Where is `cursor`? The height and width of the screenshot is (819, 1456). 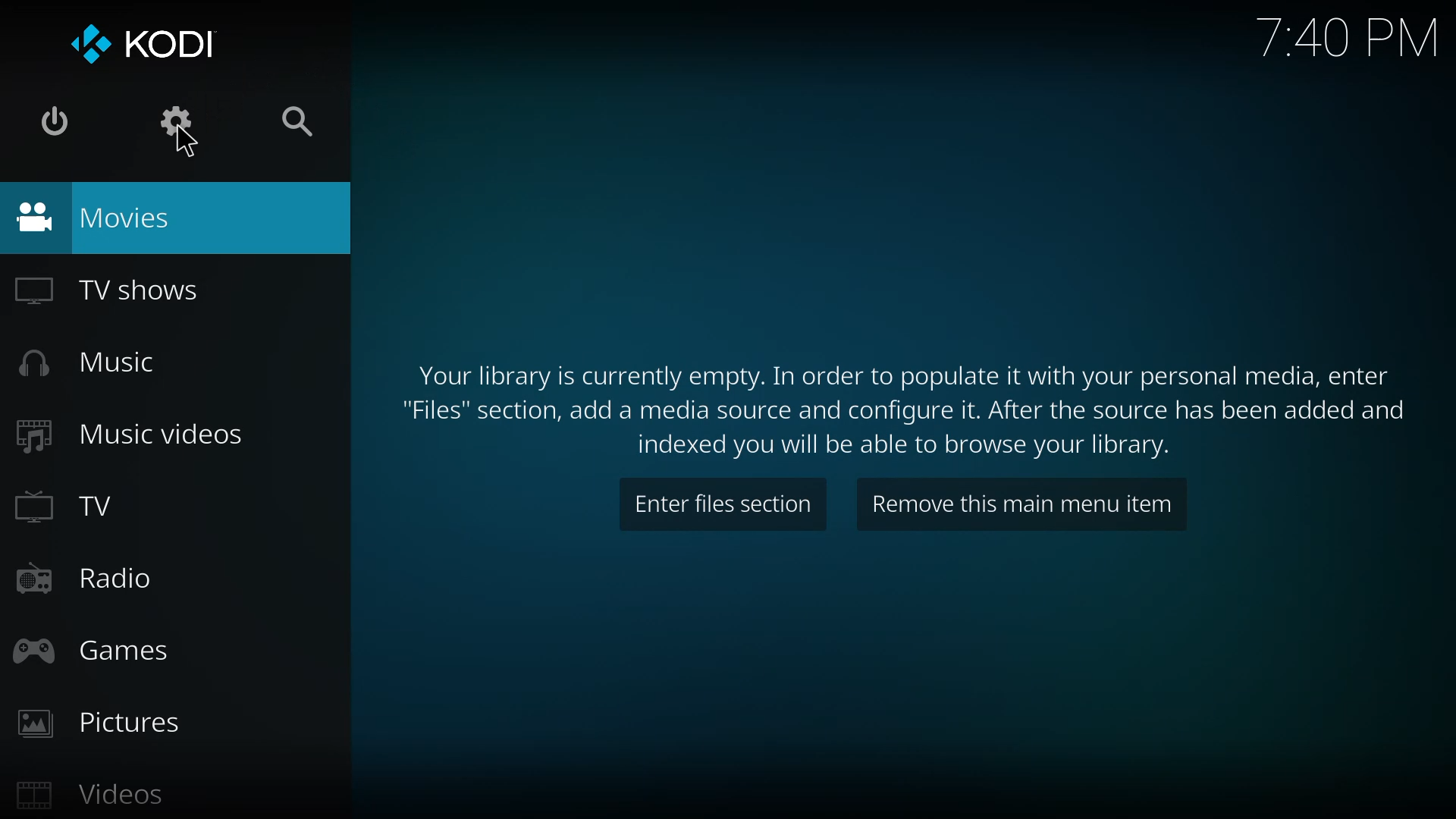 cursor is located at coordinates (190, 143).